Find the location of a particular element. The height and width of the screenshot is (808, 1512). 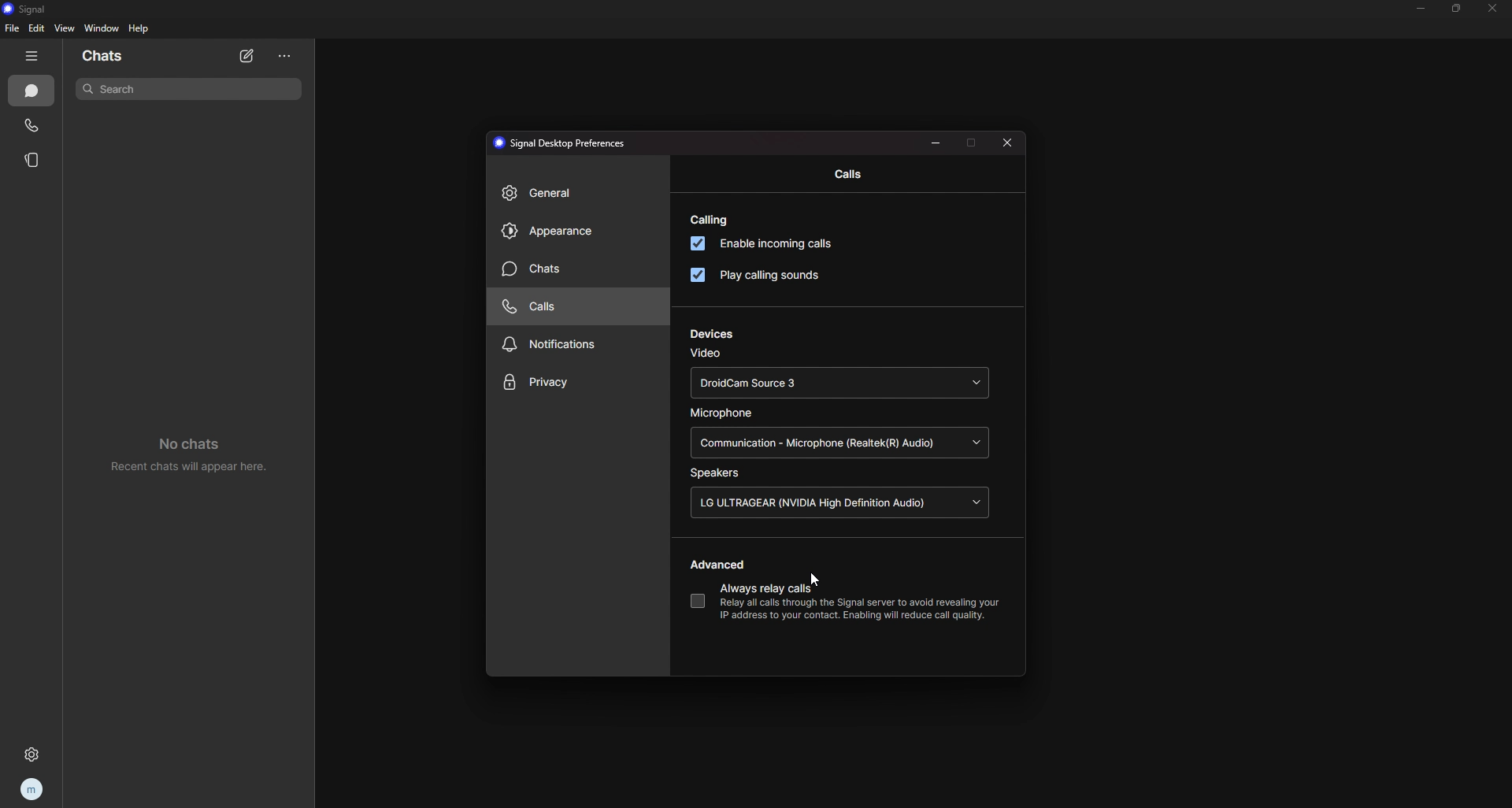

file is located at coordinates (13, 28).